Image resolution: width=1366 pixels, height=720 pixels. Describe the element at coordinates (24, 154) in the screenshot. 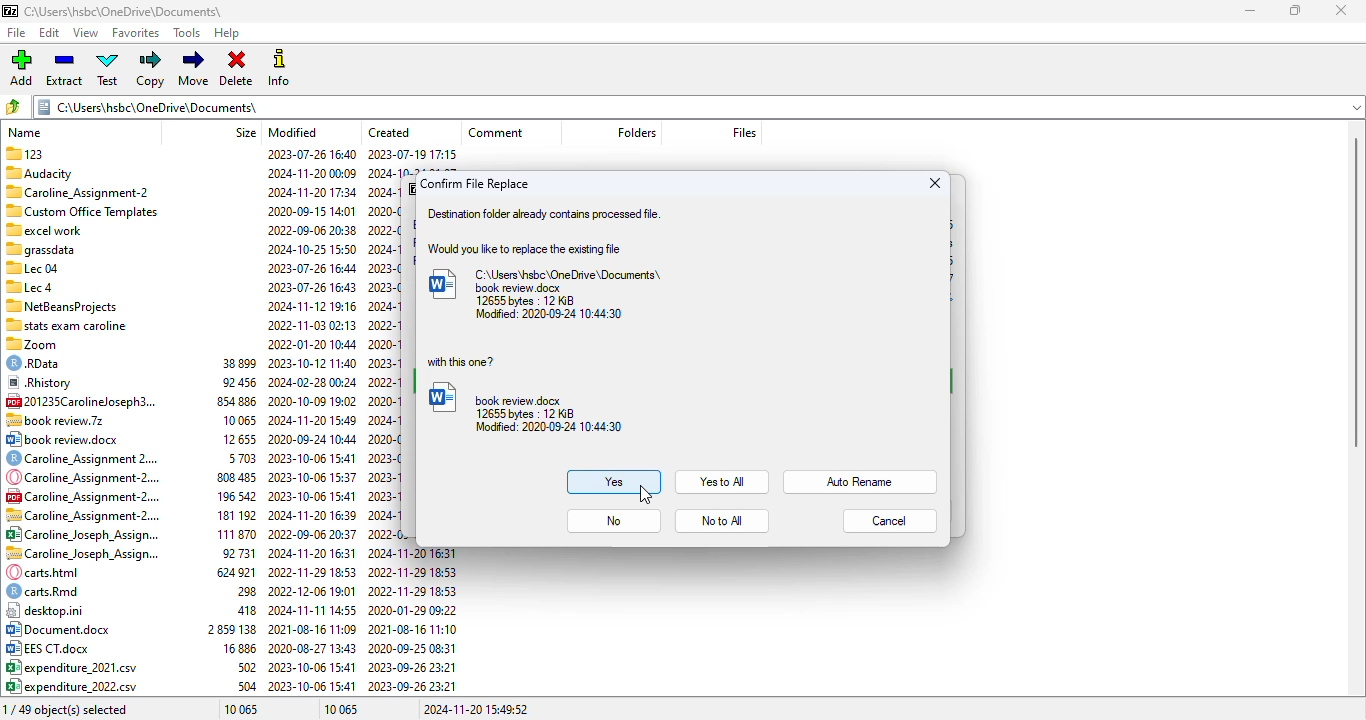

I see `123` at that location.